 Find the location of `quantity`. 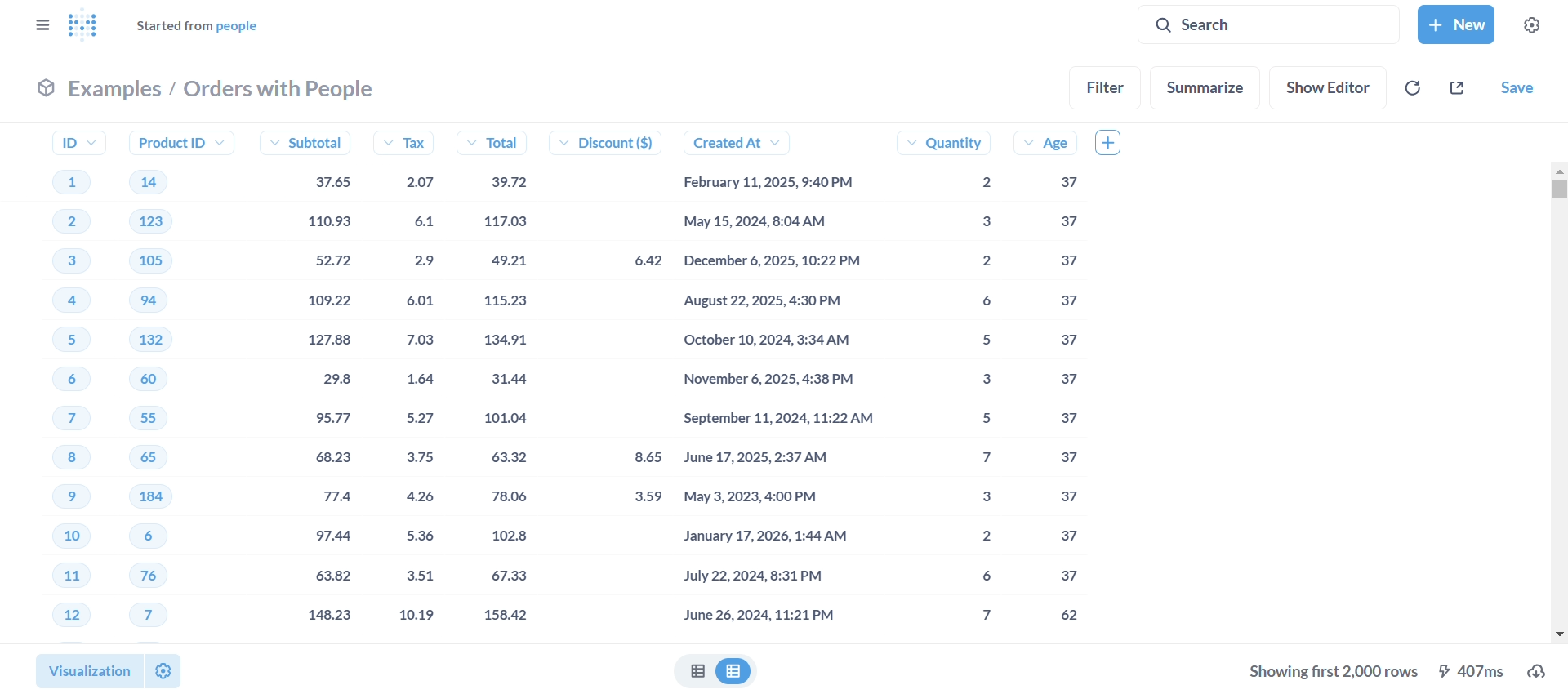

quantity is located at coordinates (968, 385).